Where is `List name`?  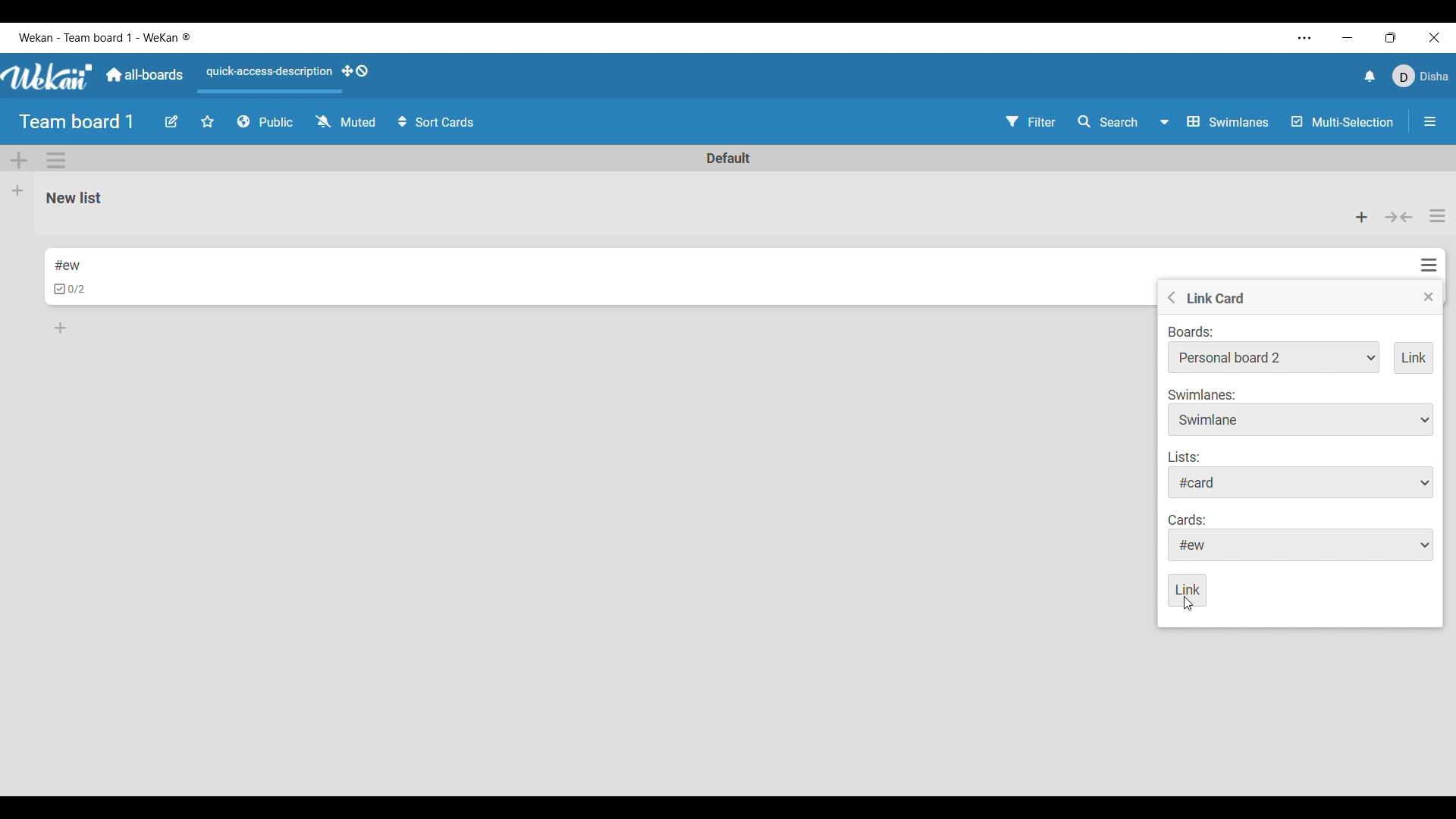 List name is located at coordinates (74, 199).